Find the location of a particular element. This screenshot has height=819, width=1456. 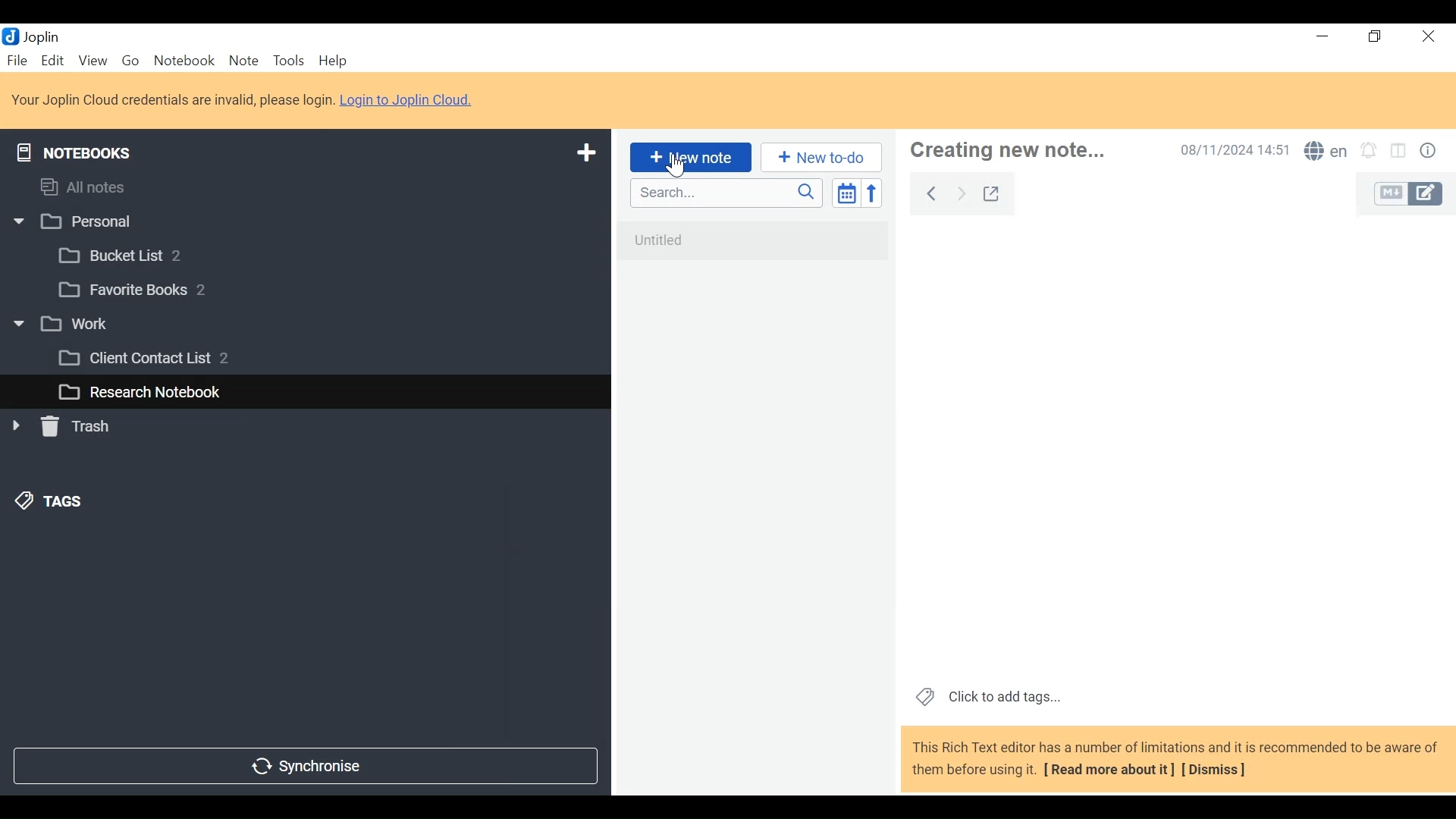

Login to Joplin Cloud is located at coordinates (172, 100).